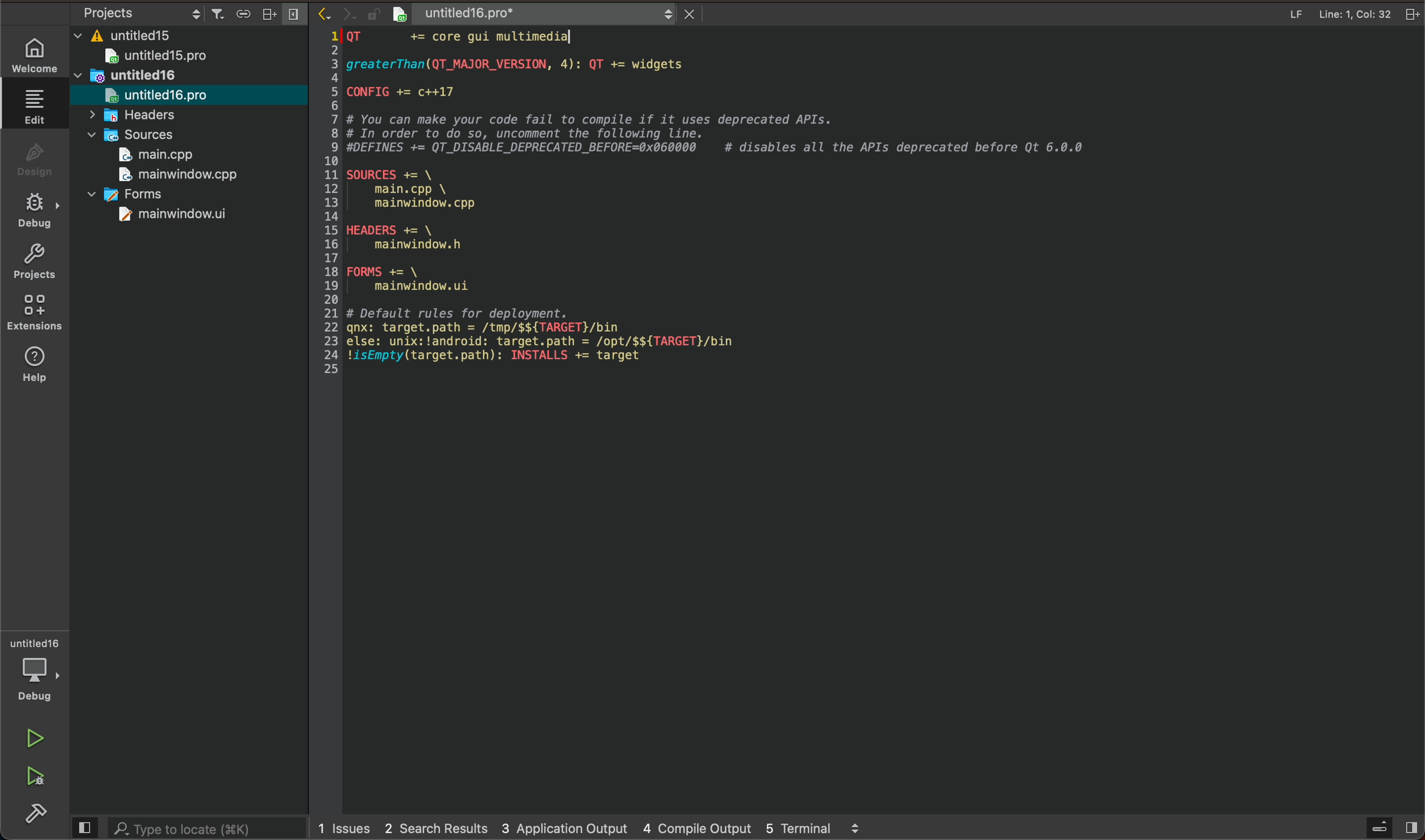 This screenshot has width=1425, height=840. What do you see at coordinates (38, 671) in the screenshot?
I see `debugger` at bounding box center [38, 671].